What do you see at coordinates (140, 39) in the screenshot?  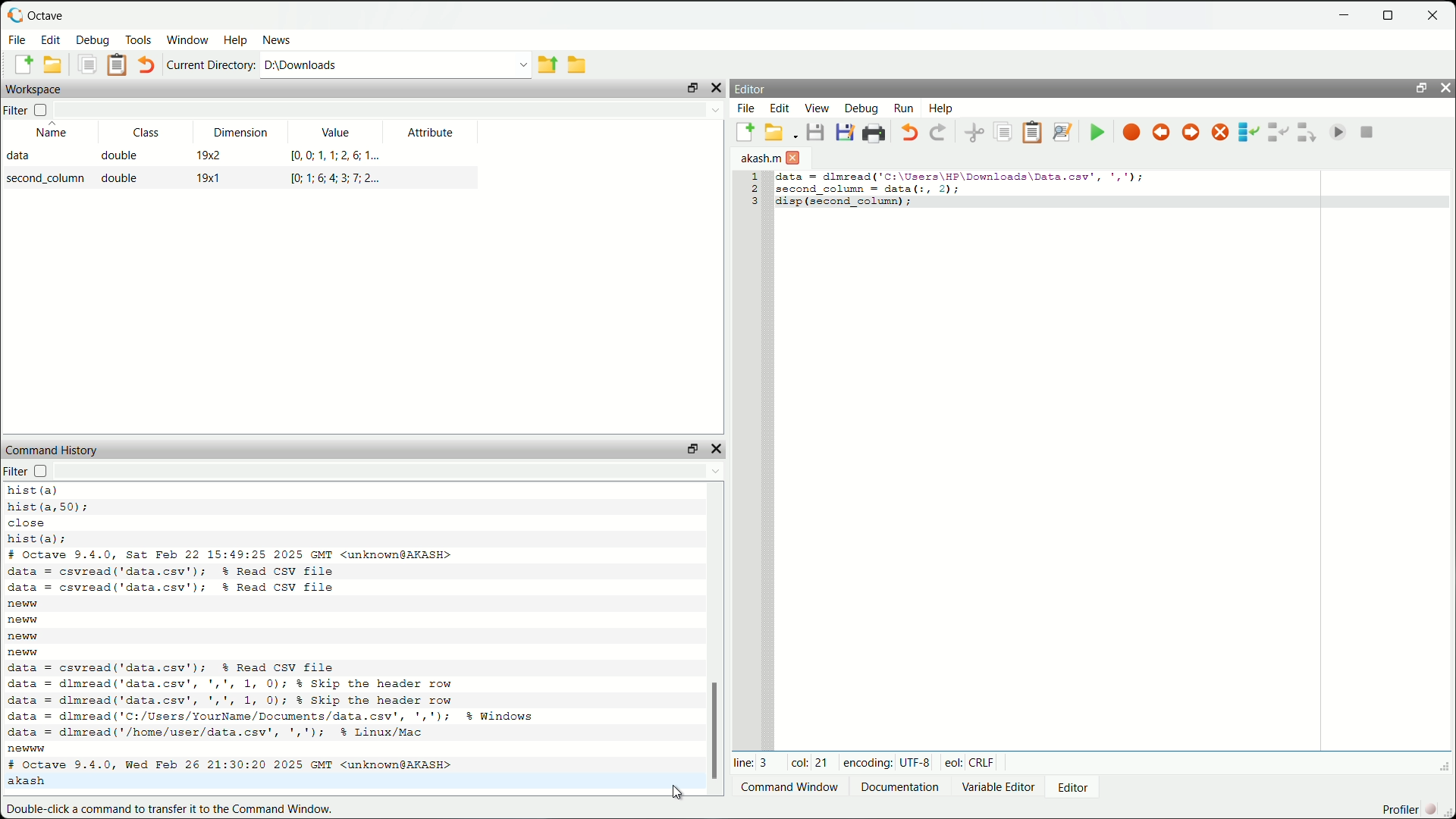 I see `tools` at bounding box center [140, 39].